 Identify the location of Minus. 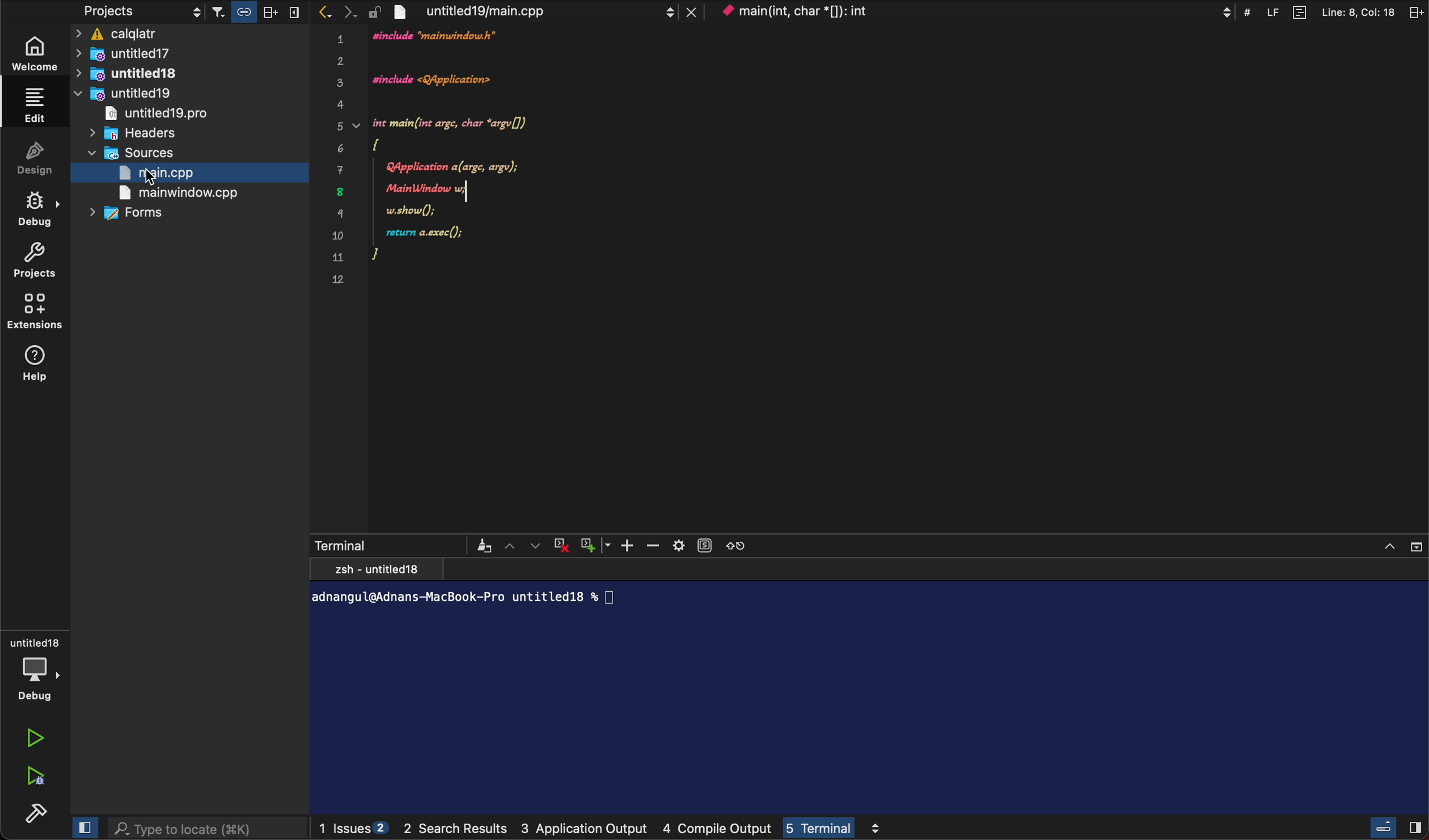
(653, 545).